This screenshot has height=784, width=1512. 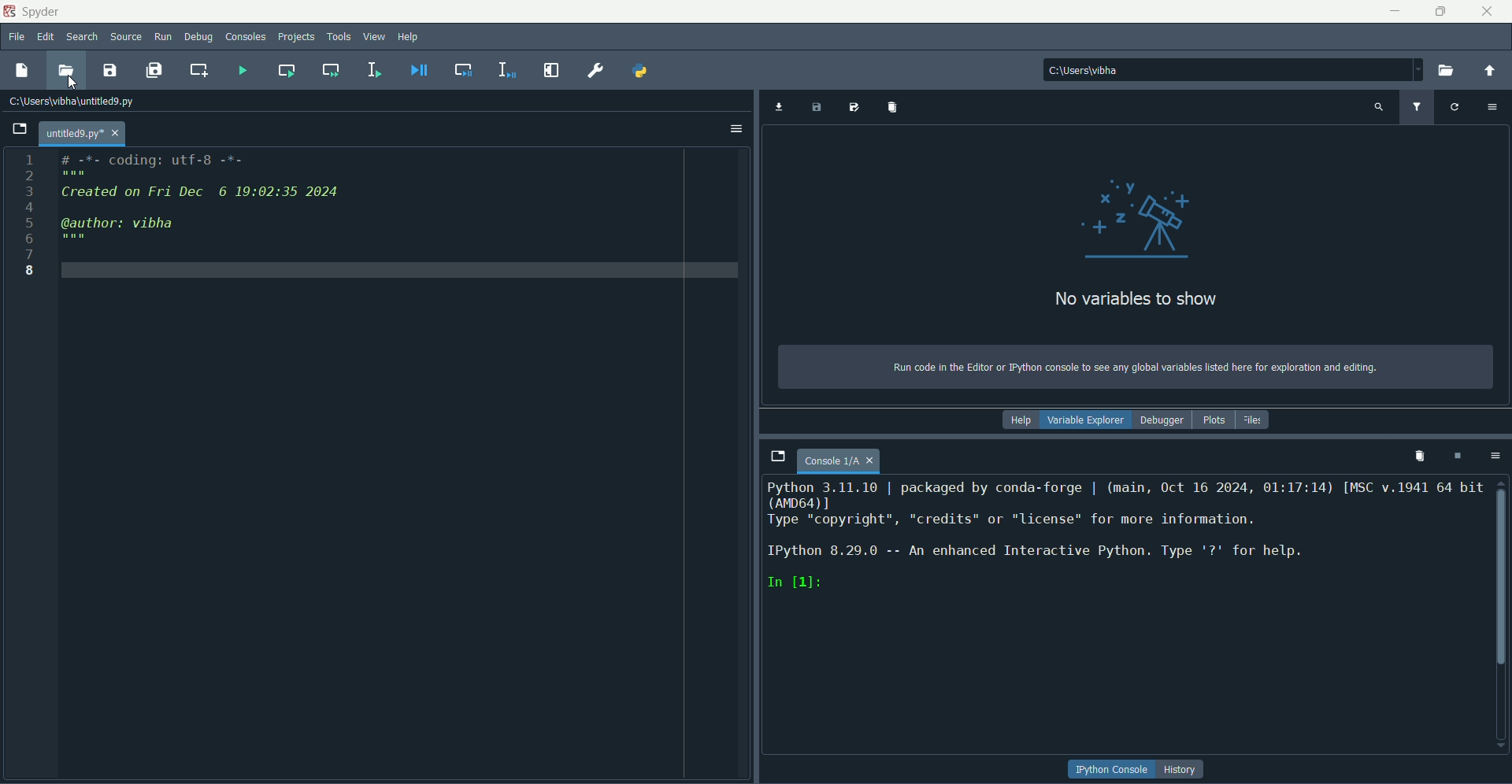 I want to click on save all files, so click(x=154, y=70).